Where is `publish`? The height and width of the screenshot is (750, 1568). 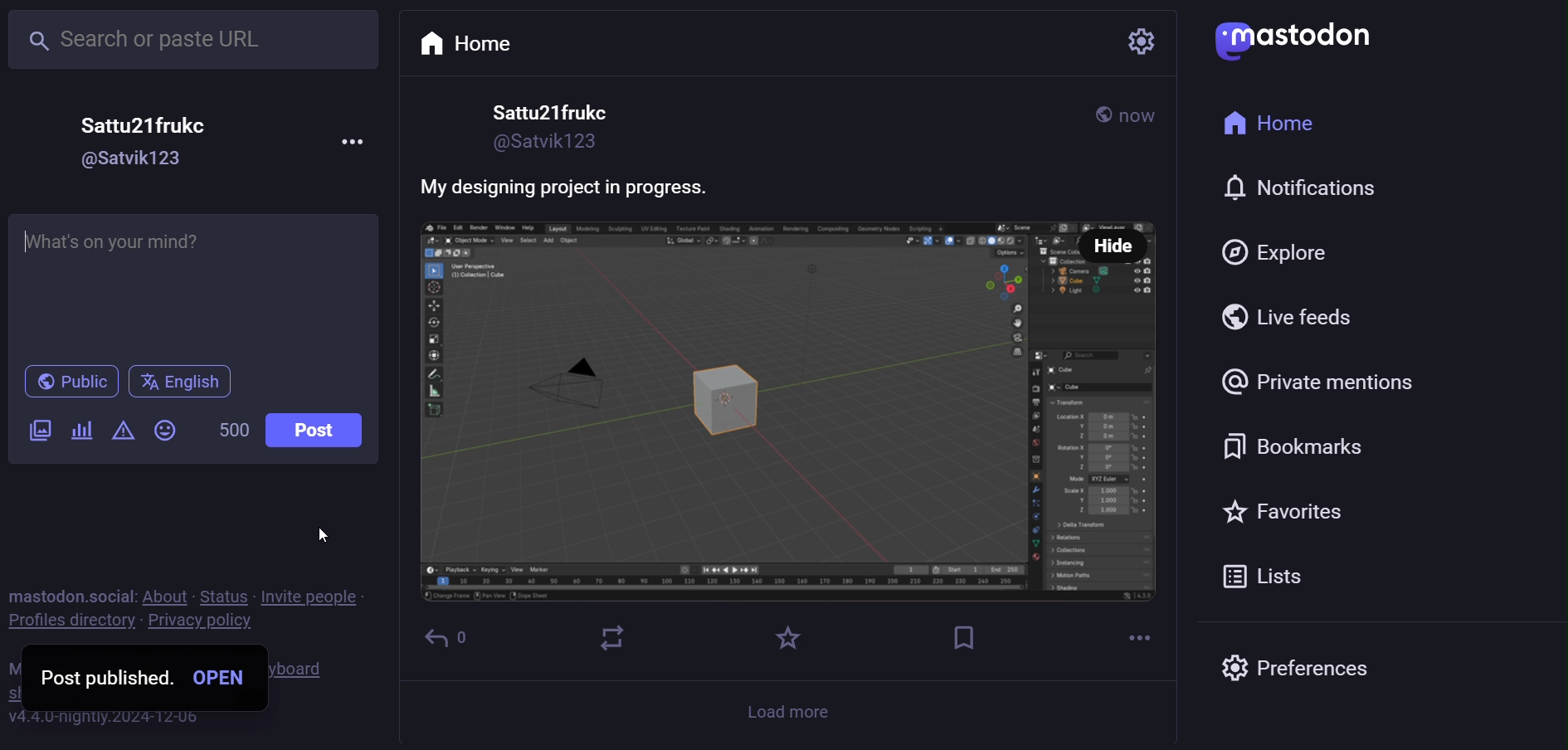
publish is located at coordinates (70, 382).